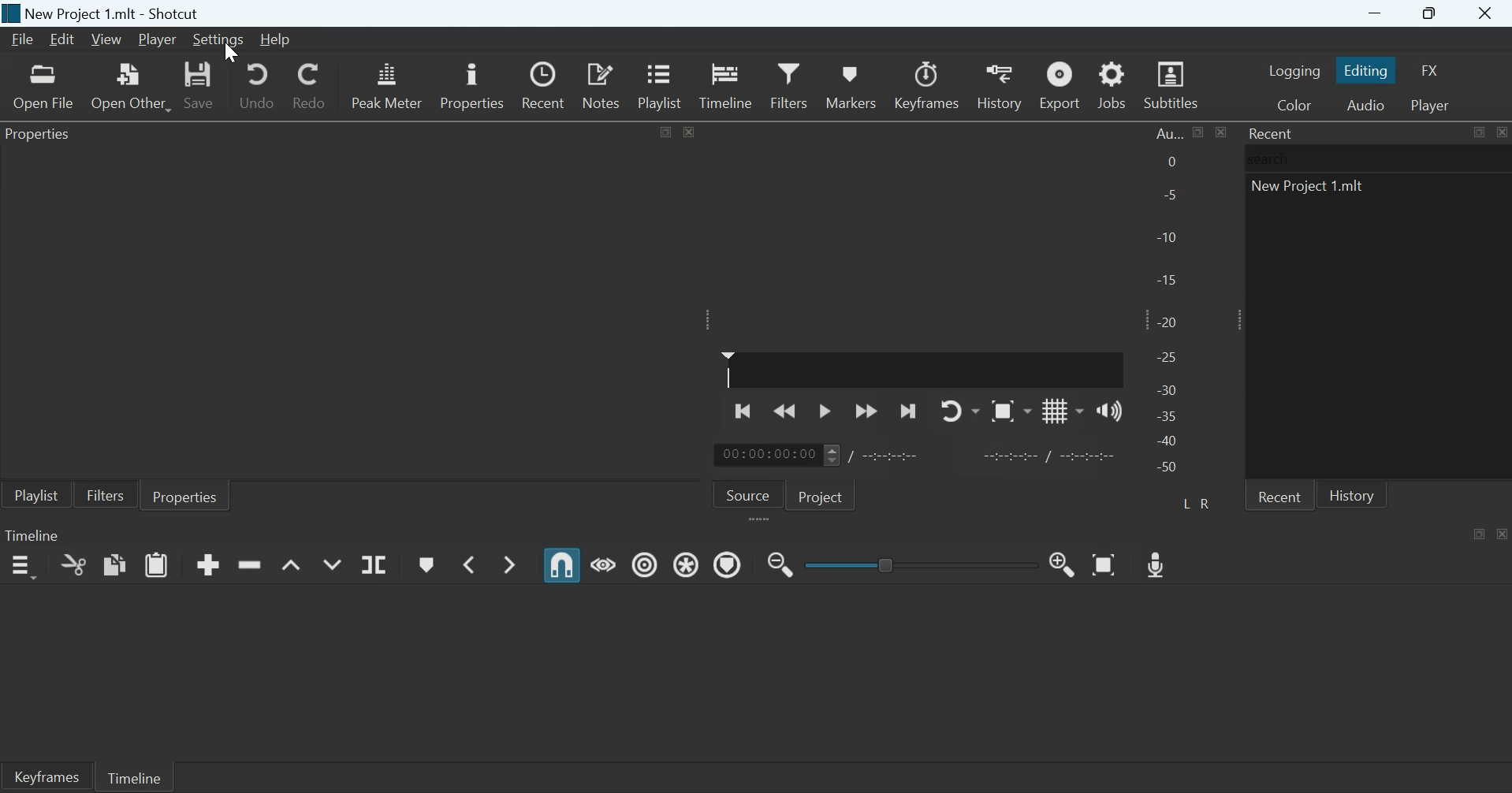  What do you see at coordinates (308, 83) in the screenshot?
I see `Redo` at bounding box center [308, 83].